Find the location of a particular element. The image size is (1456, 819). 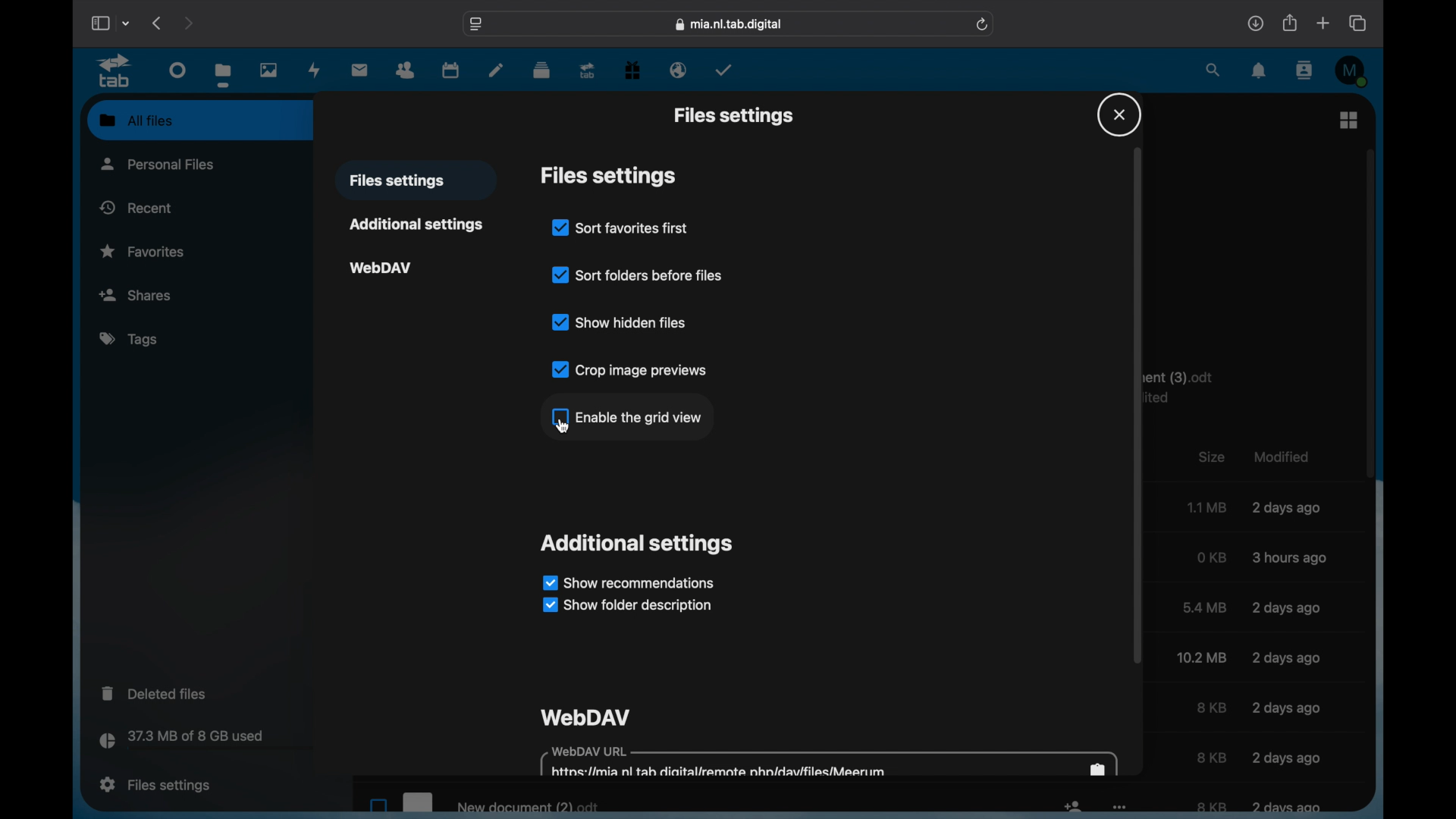

webdav is located at coordinates (381, 266).